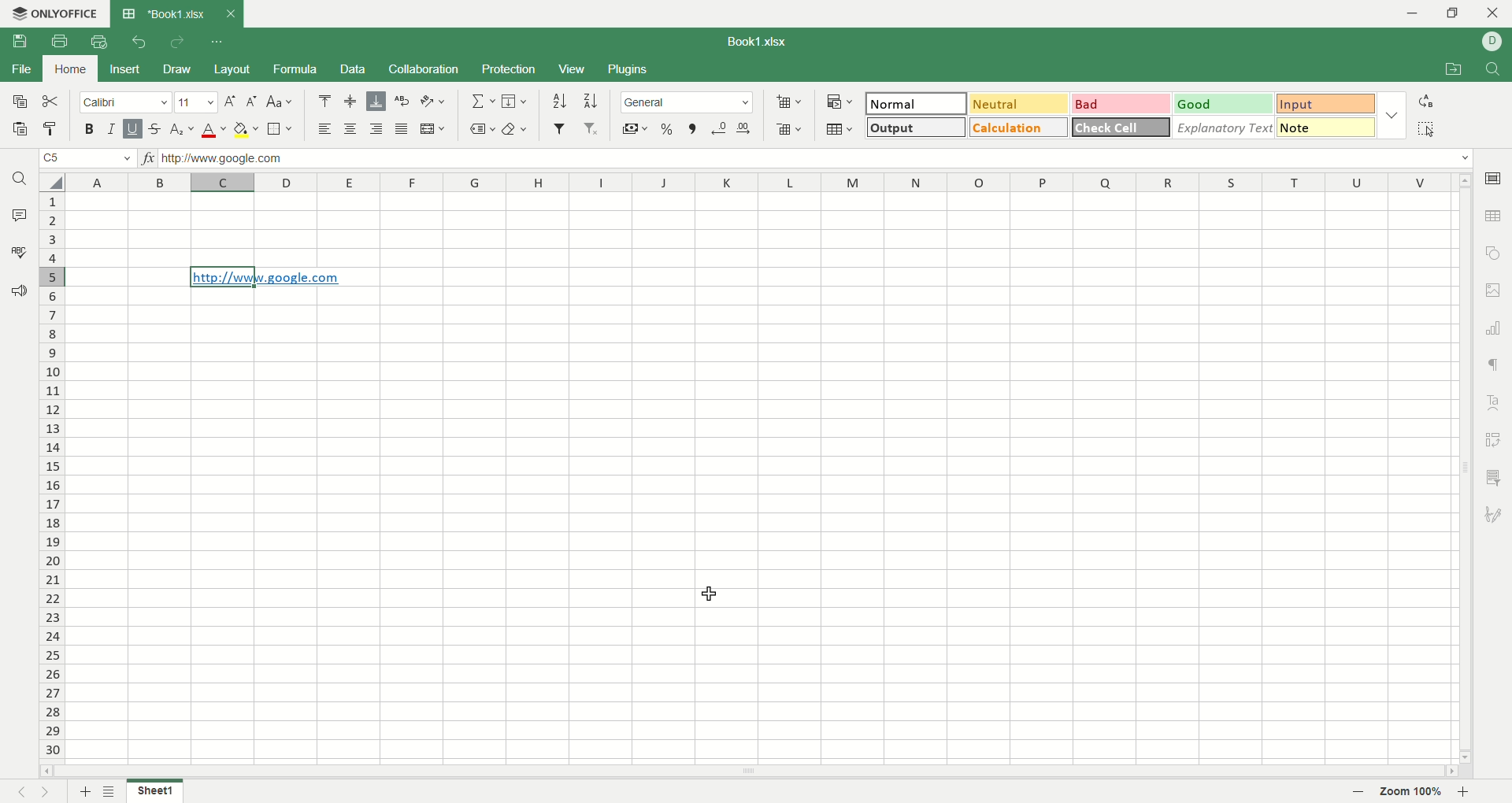  What do you see at coordinates (252, 101) in the screenshot?
I see `decrease font size` at bounding box center [252, 101].